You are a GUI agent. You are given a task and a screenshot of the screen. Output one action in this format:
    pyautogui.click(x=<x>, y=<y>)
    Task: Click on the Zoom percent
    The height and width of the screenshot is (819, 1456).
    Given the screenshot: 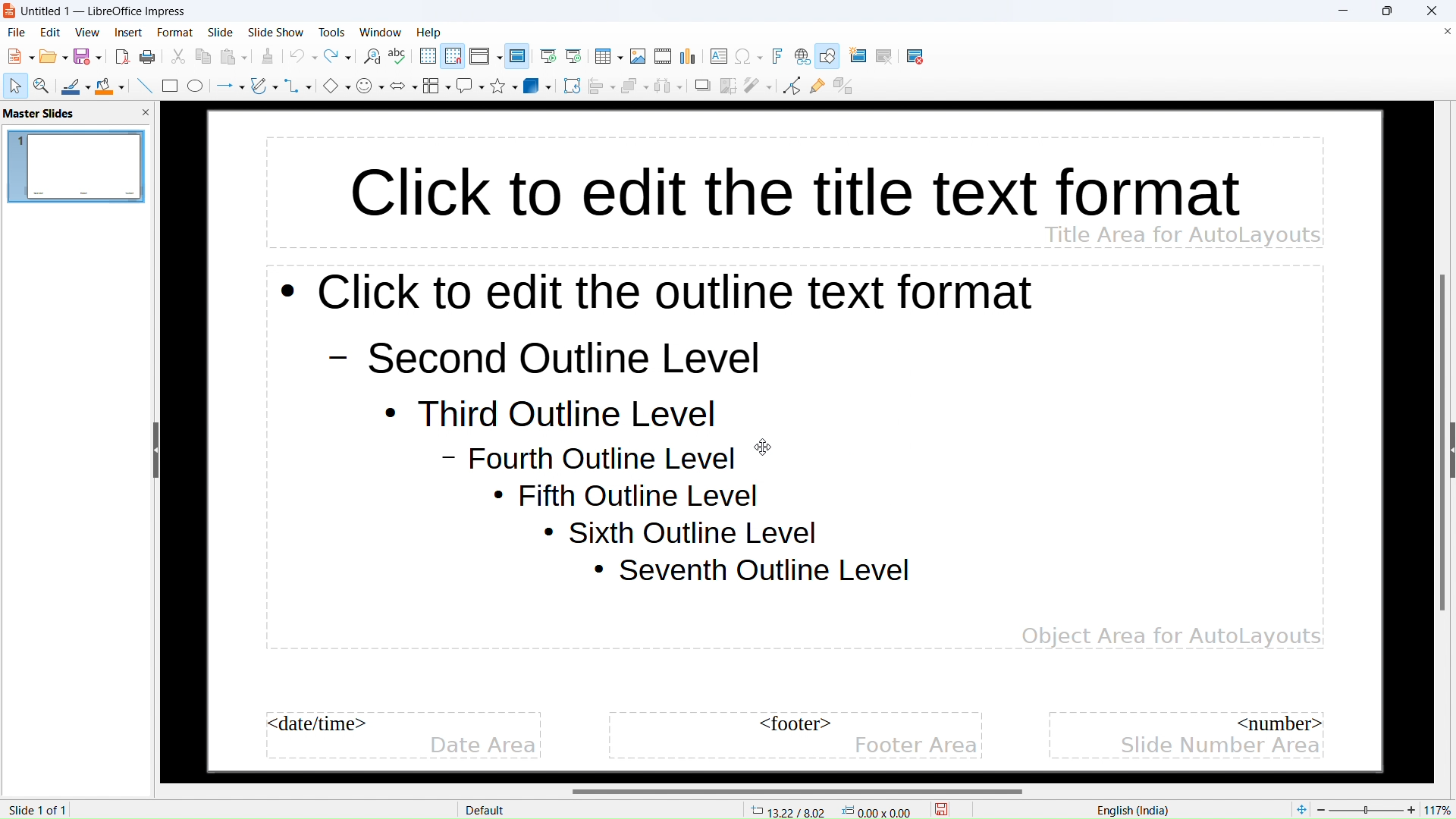 What is the action you would take?
    pyautogui.click(x=1367, y=810)
    